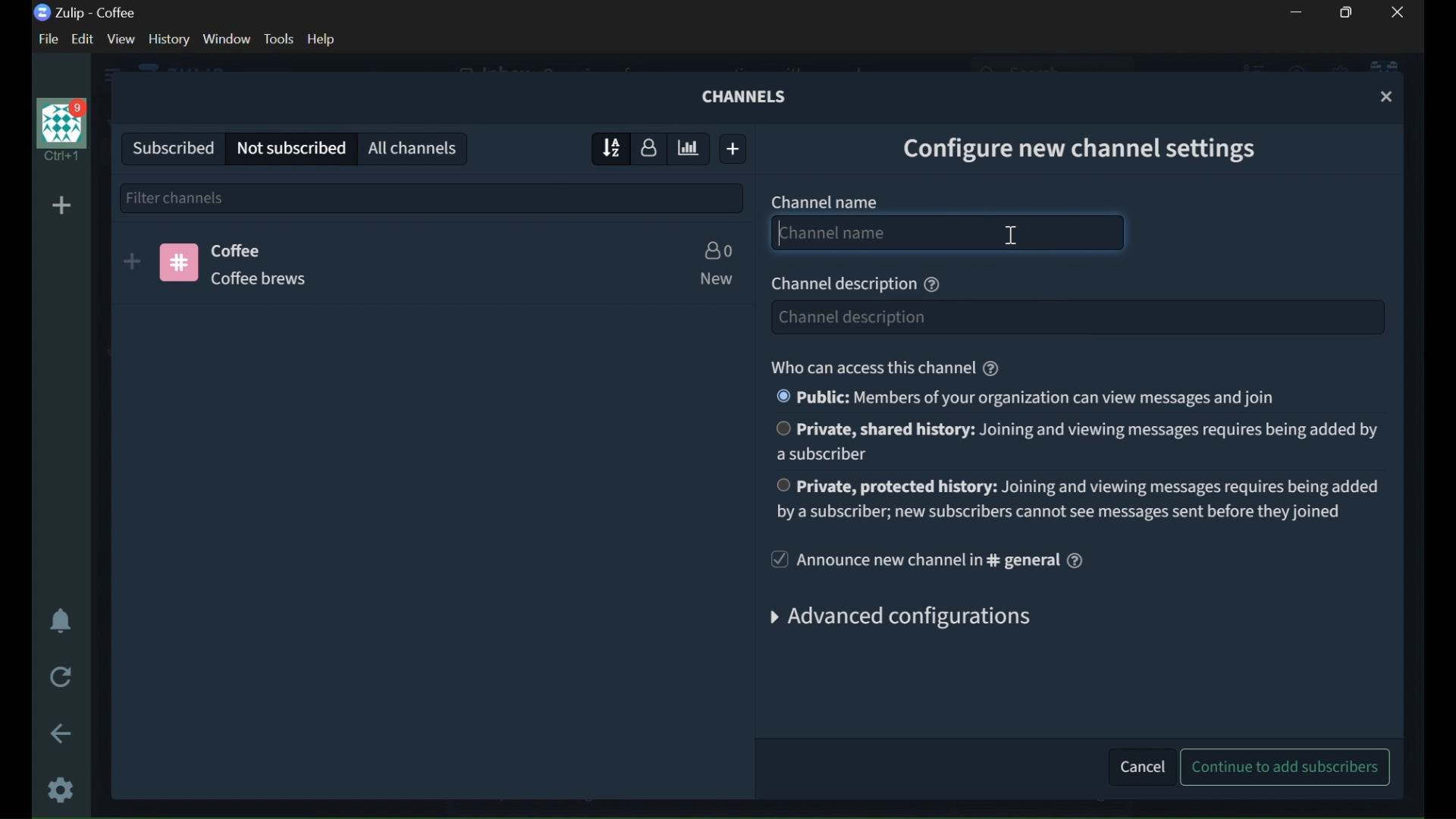 The height and width of the screenshot is (819, 1456). I want to click on NUMBER OF USERS, so click(717, 250).